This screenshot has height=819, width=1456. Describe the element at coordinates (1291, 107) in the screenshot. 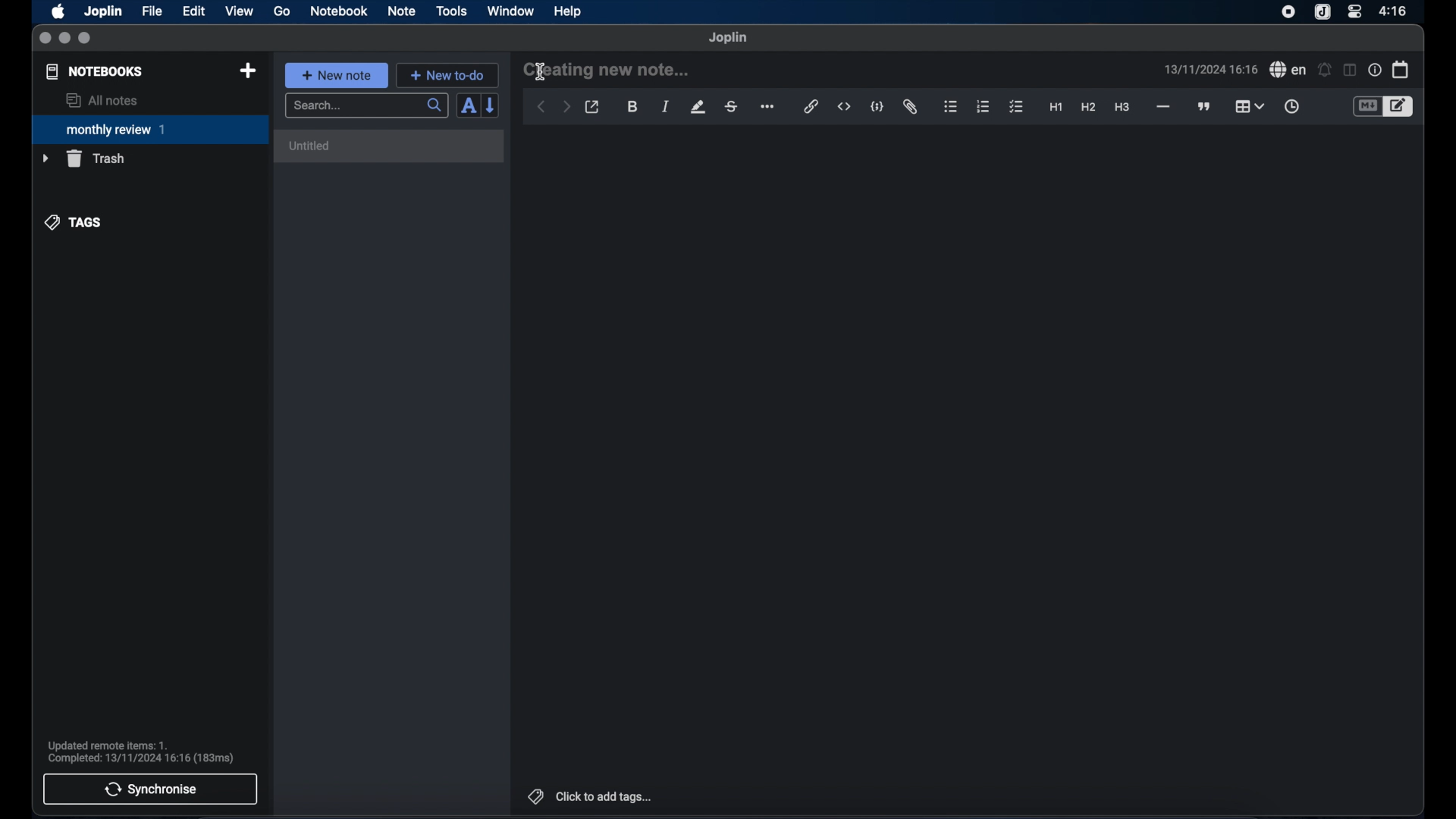

I see `insert time` at that location.